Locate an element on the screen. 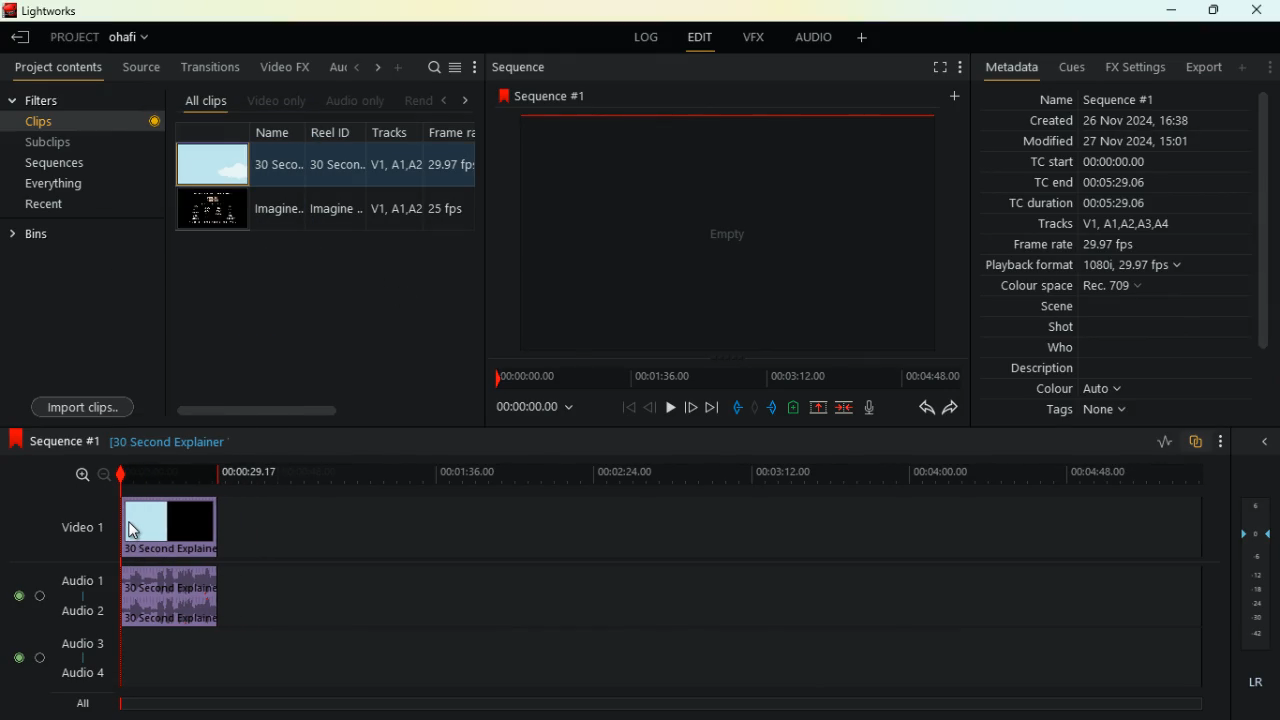 The height and width of the screenshot is (720, 1280). left is located at coordinates (356, 68).